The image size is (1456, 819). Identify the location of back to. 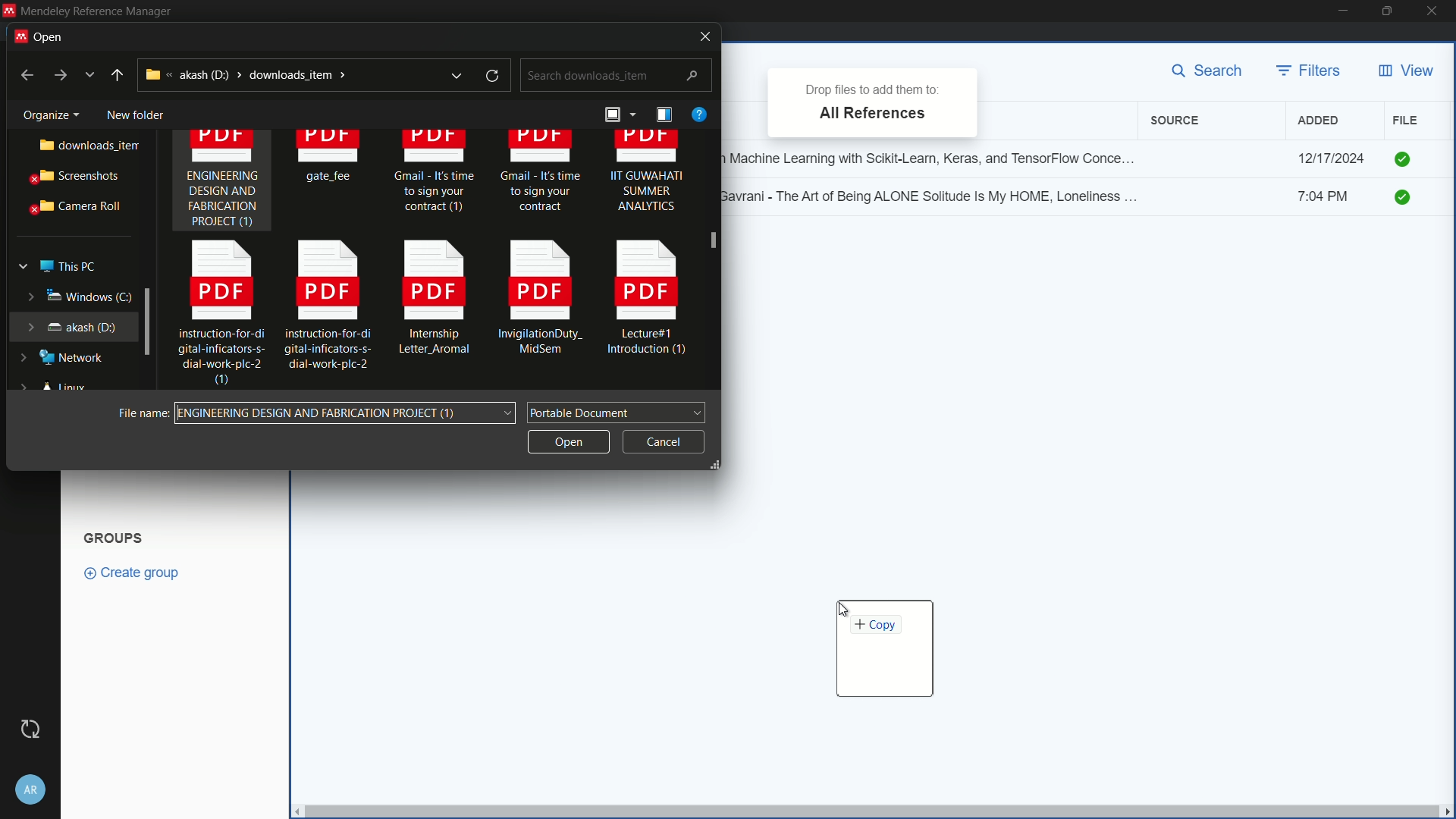
(22, 74).